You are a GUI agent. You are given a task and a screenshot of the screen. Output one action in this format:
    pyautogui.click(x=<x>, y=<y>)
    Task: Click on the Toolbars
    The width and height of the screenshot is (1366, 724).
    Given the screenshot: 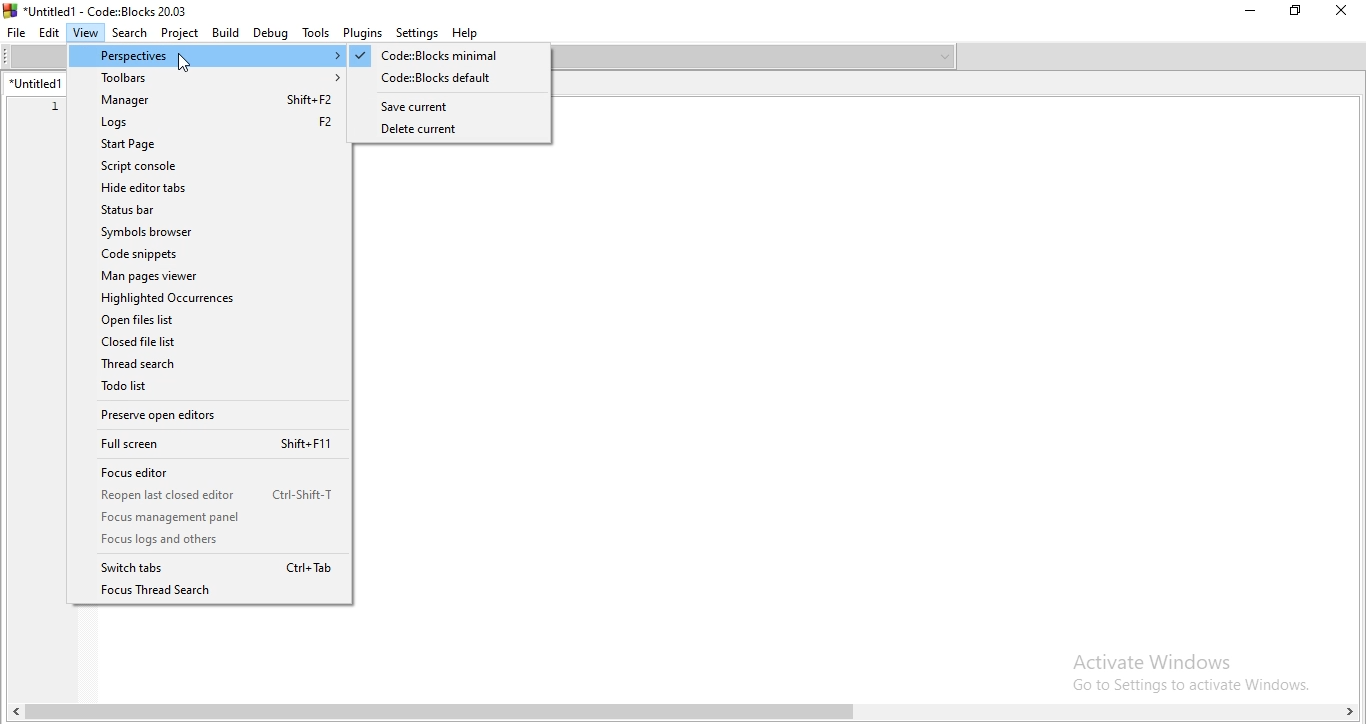 What is the action you would take?
    pyautogui.click(x=208, y=79)
    